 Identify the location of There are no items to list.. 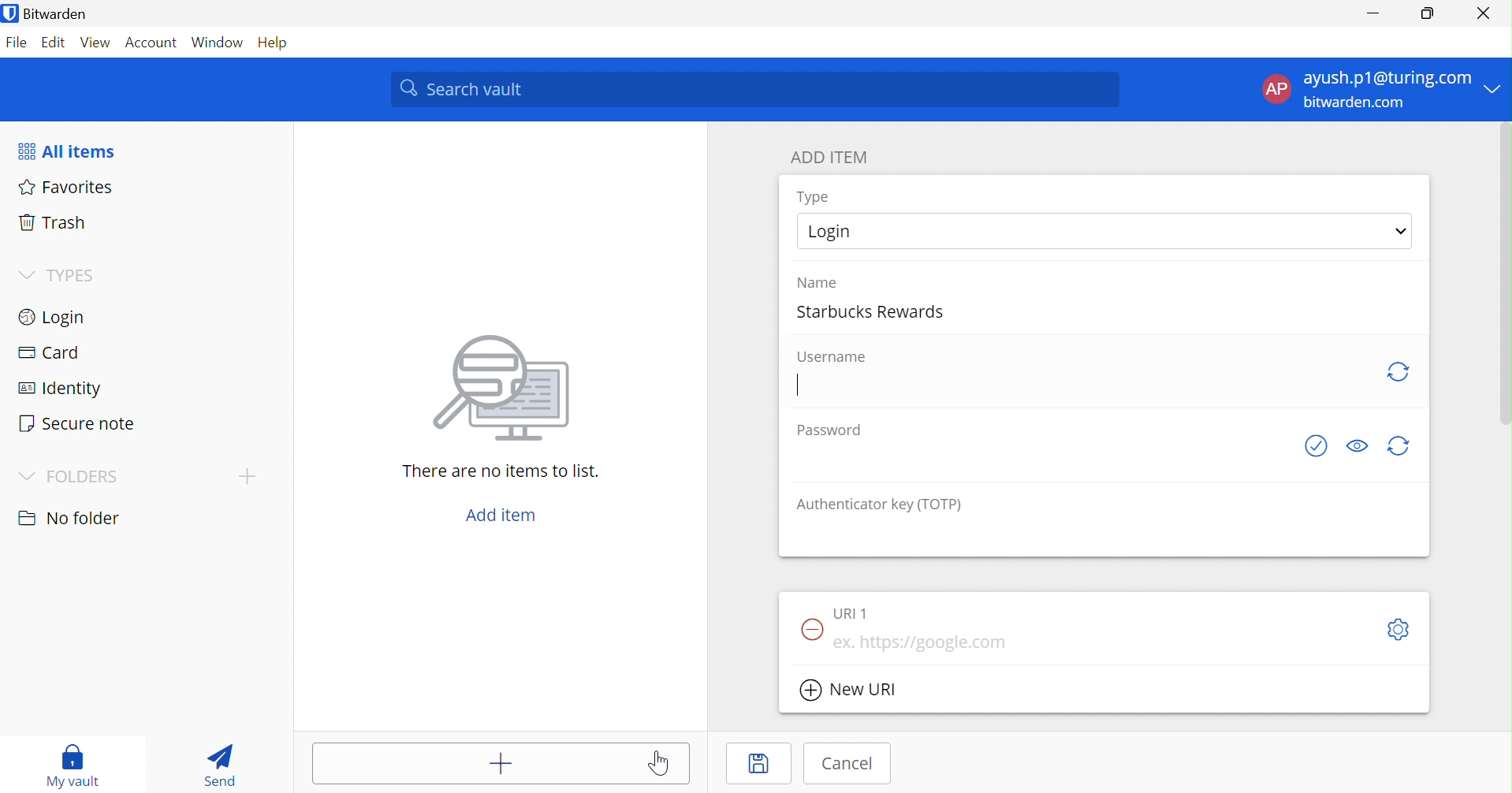
(502, 472).